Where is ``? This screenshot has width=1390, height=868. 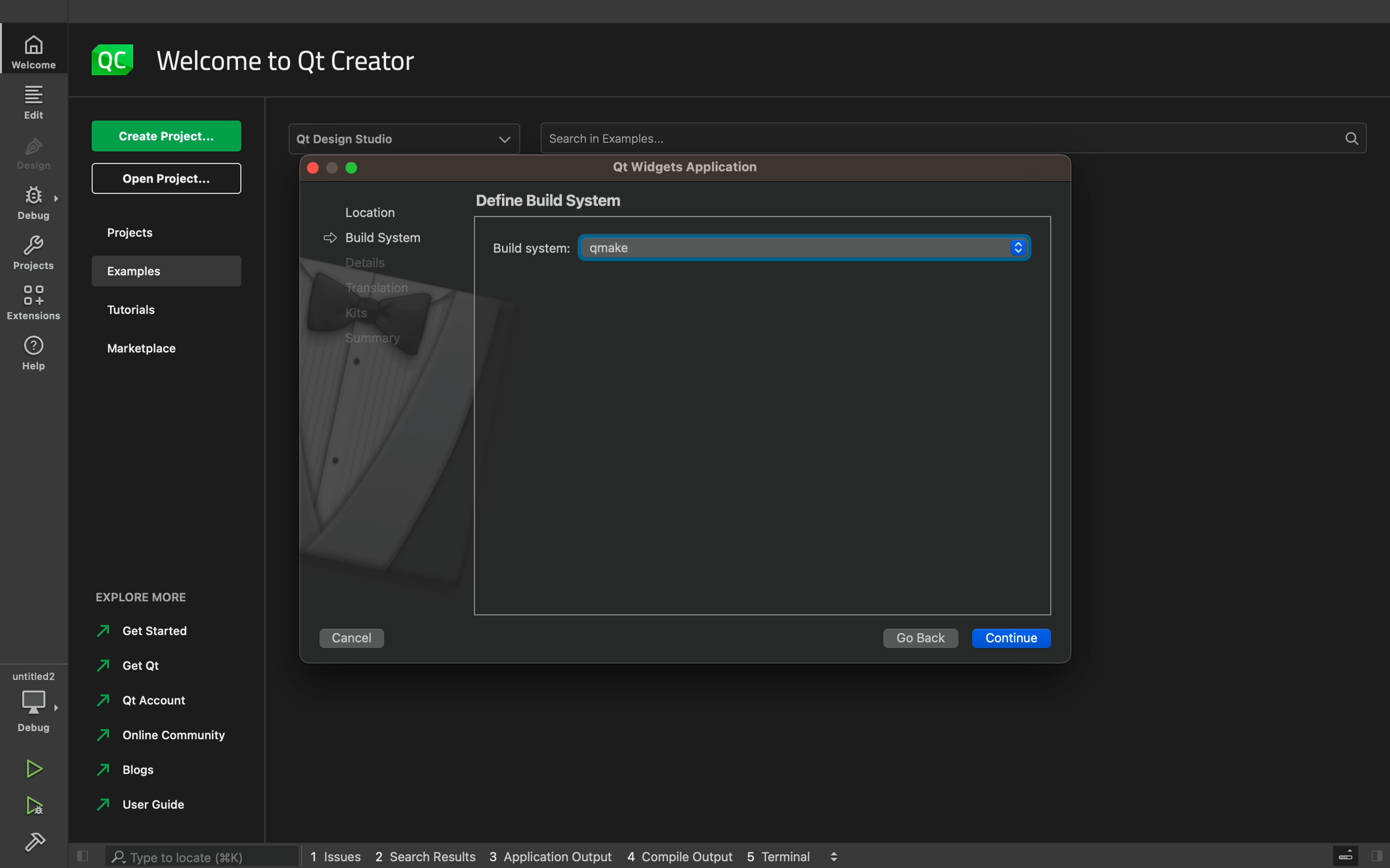
 is located at coordinates (157, 739).